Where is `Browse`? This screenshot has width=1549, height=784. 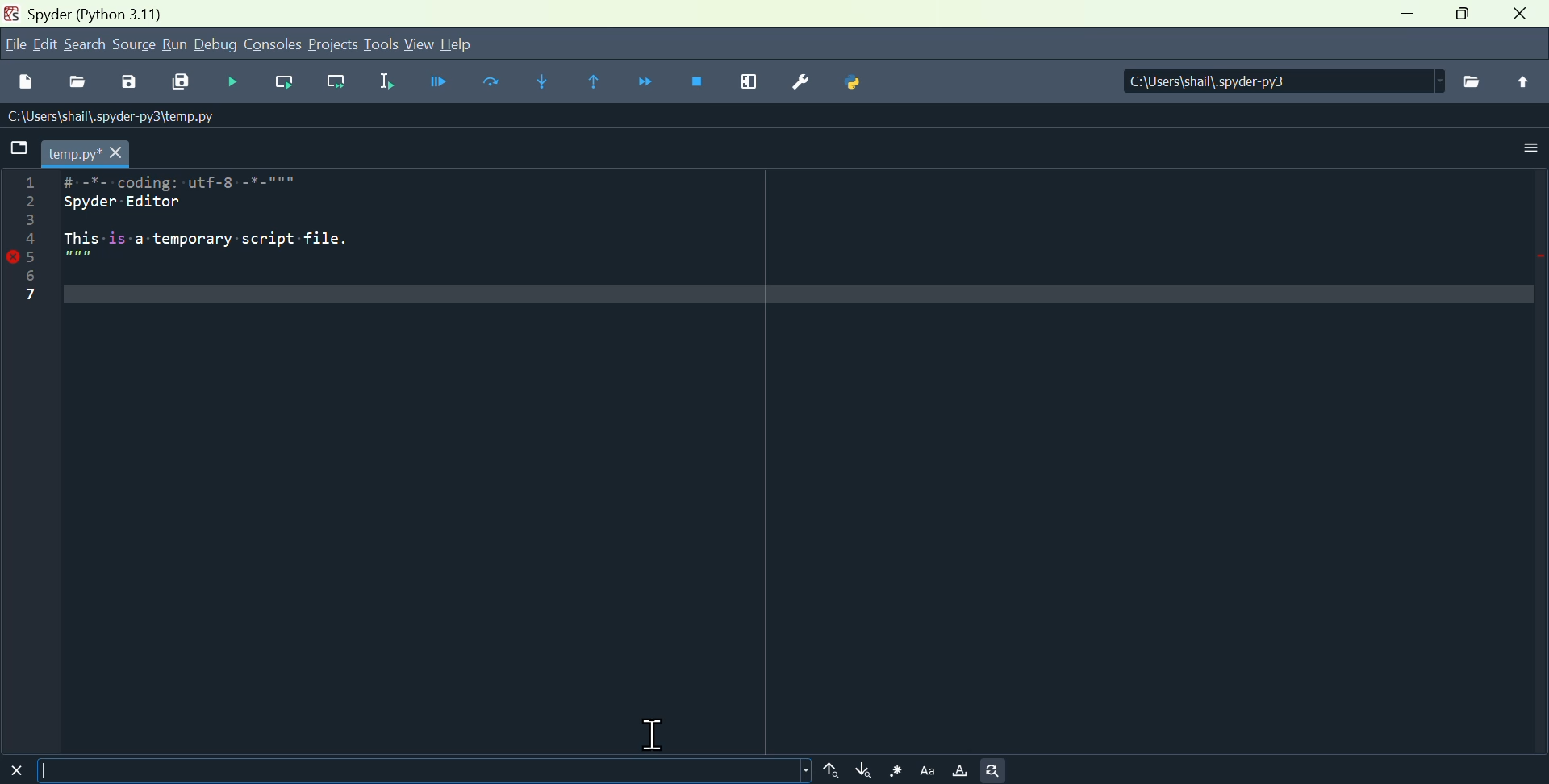 Browse is located at coordinates (1468, 79).